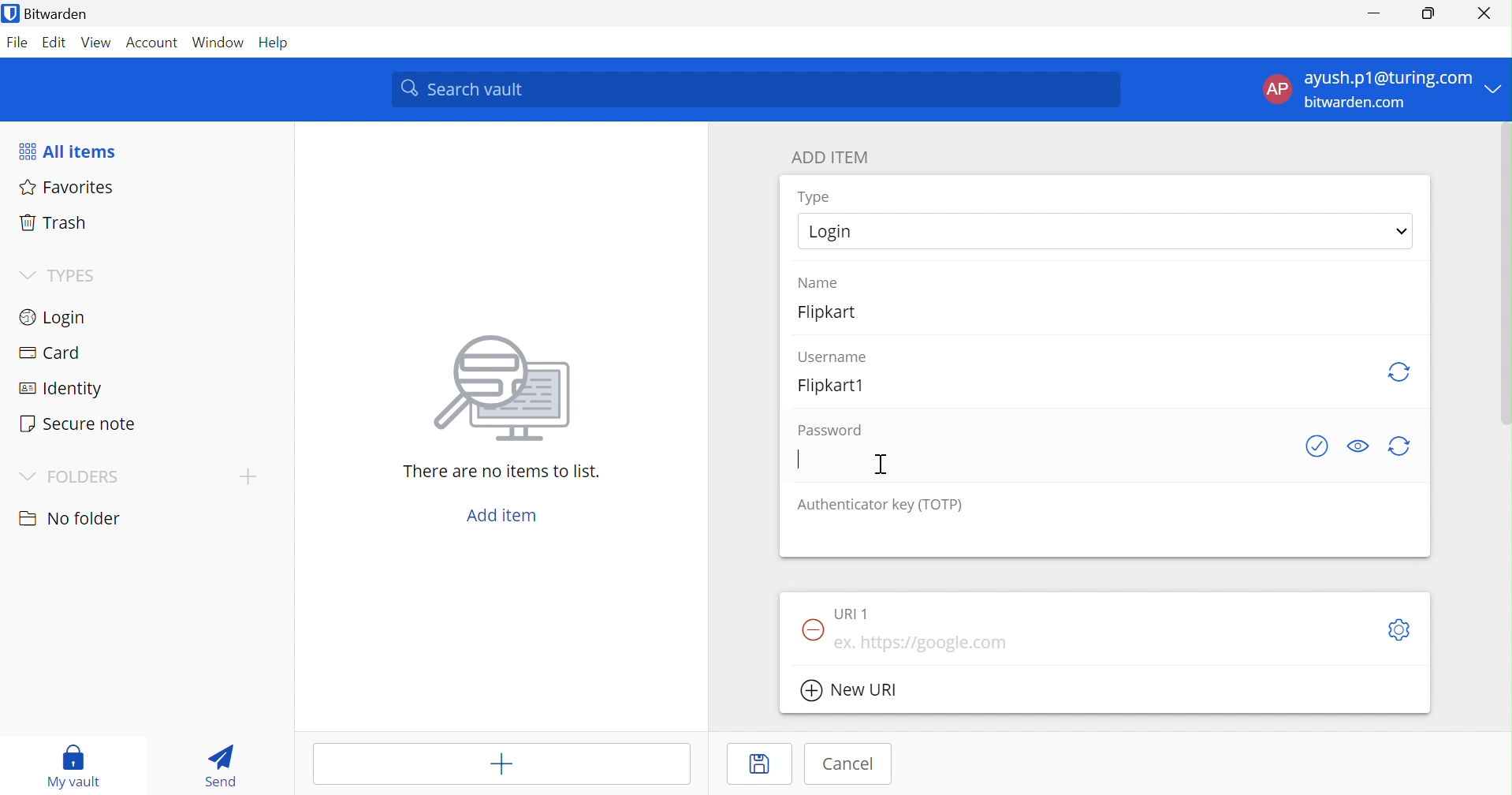 The height and width of the screenshot is (795, 1512). What do you see at coordinates (76, 765) in the screenshot?
I see `My vault` at bounding box center [76, 765].